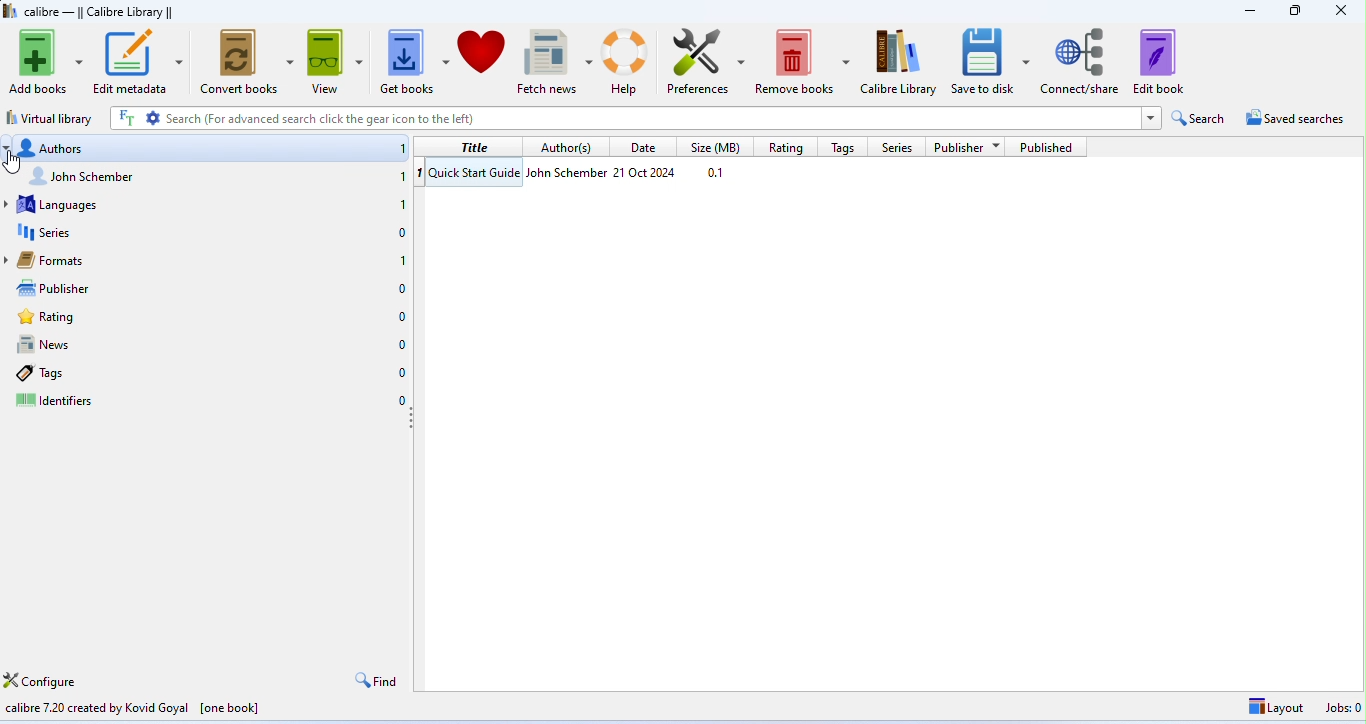 This screenshot has width=1366, height=724. I want to click on virtual library, so click(50, 118).